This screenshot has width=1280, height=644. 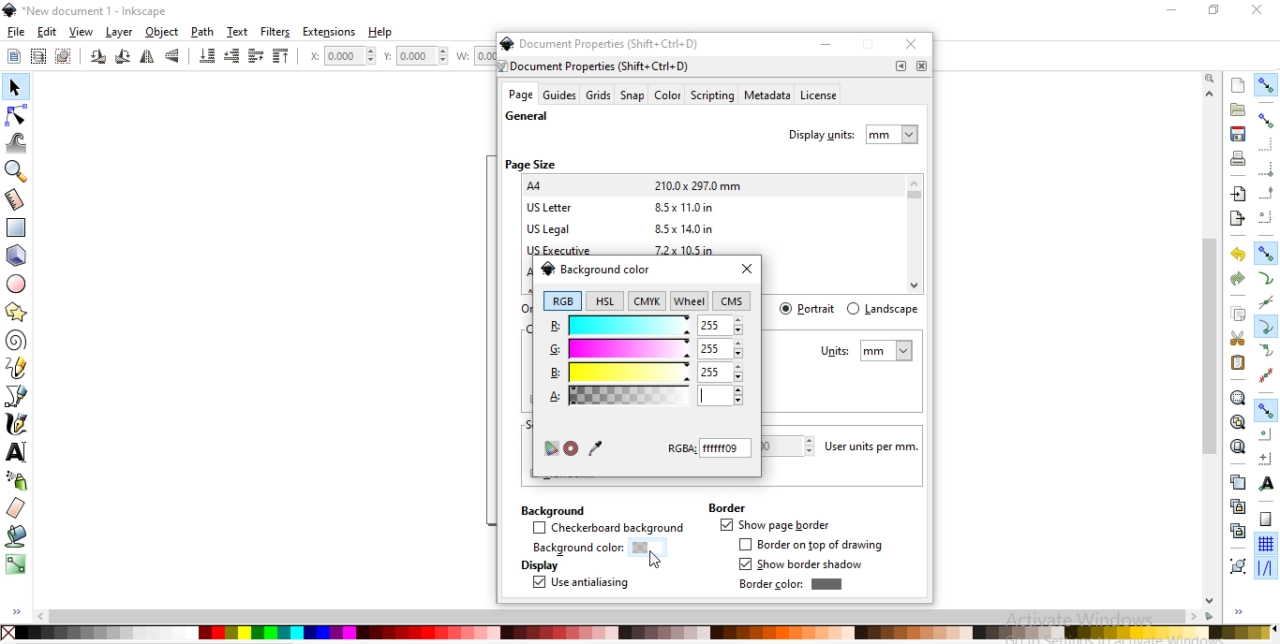 What do you see at coordinates (645, 372) in the screenshot?
I see `b` at bounding box center [645, 372].